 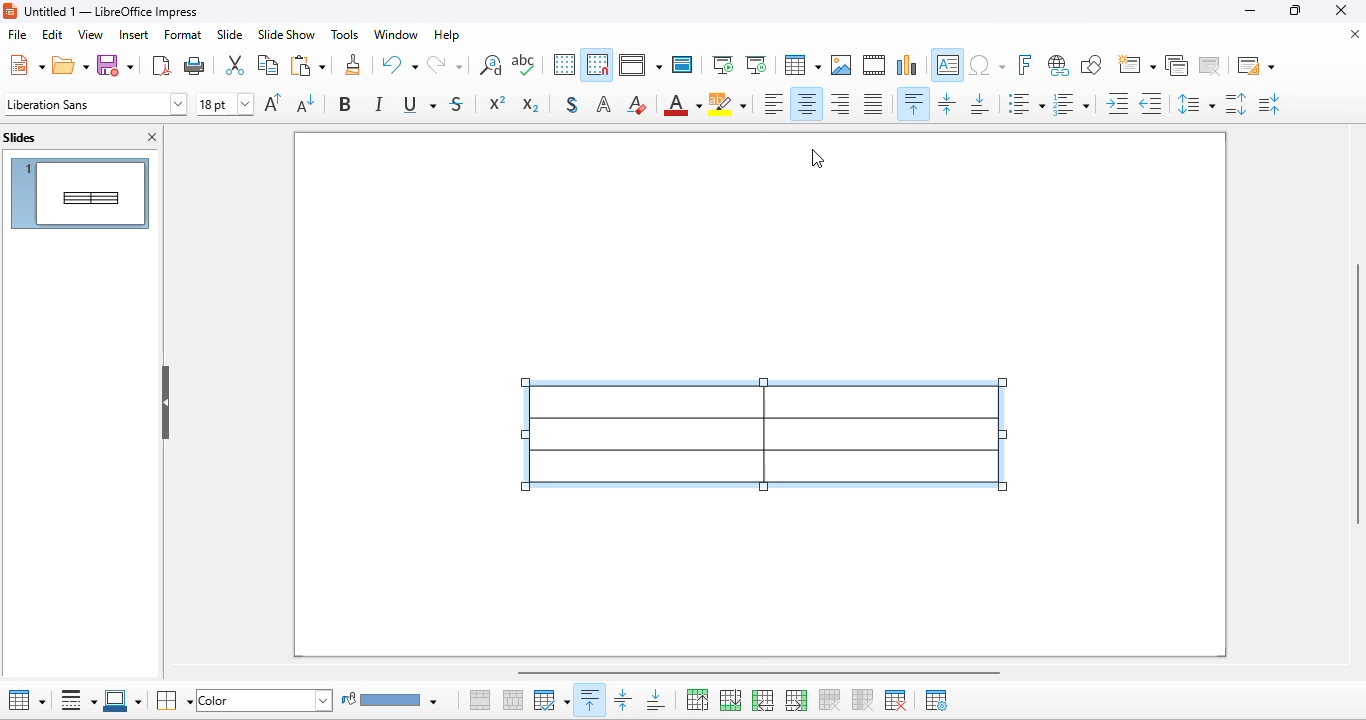 What do you see at coordinates (803, 65) in the screenshot?
I see `table` at bounding box center [803, 65].